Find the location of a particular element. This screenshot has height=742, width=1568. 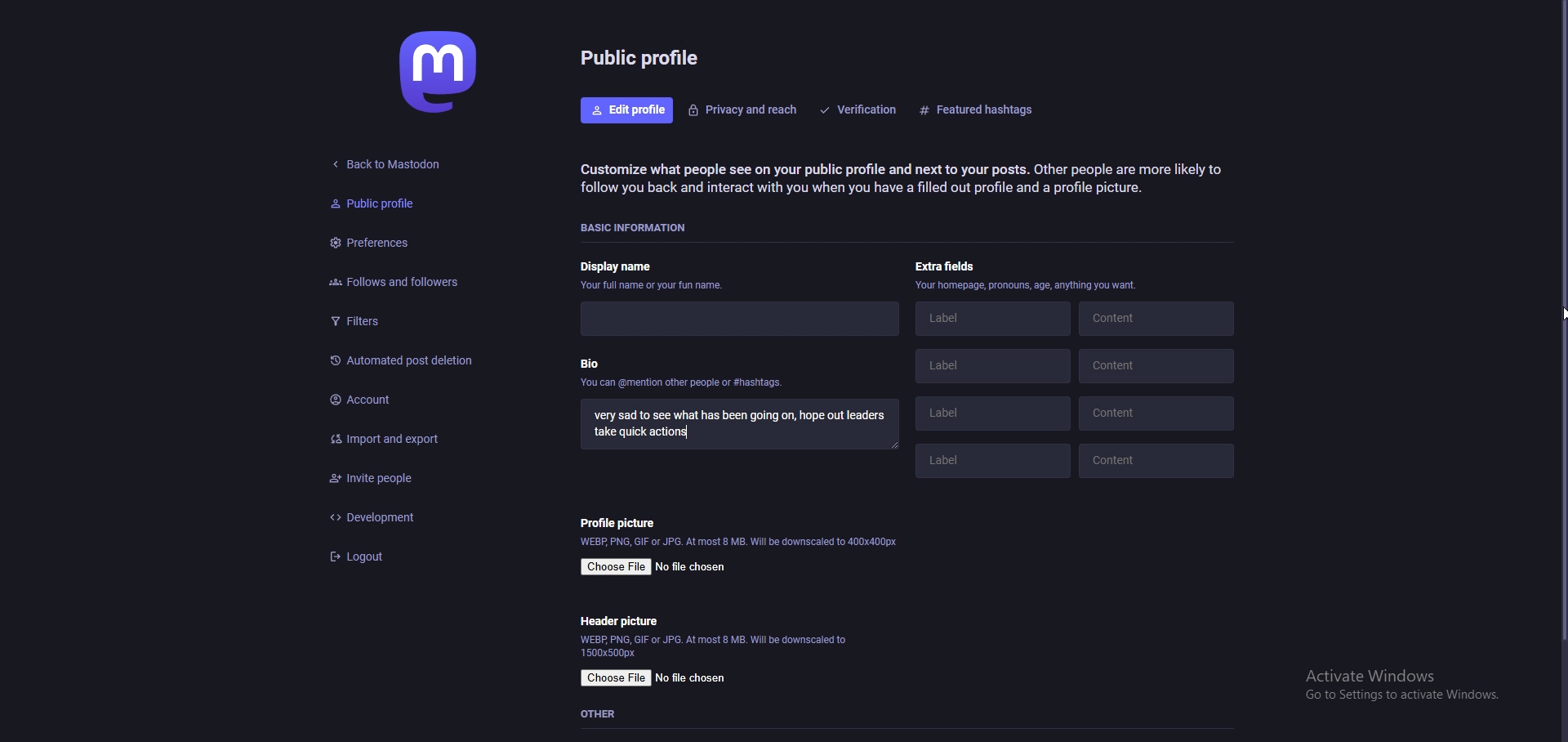

no file chosen is located at coordinates (694, 678).